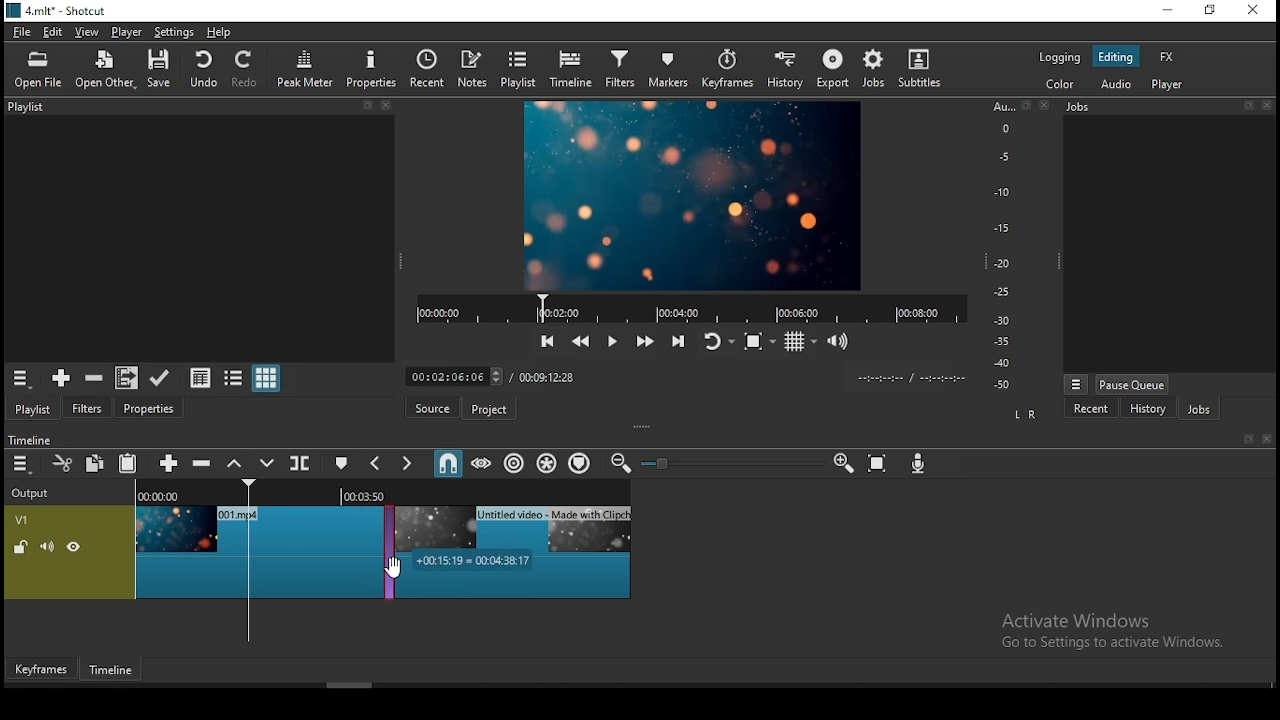  Describe the element at coordinates (90, 406) in the screenshot. I see `filters` at that location.